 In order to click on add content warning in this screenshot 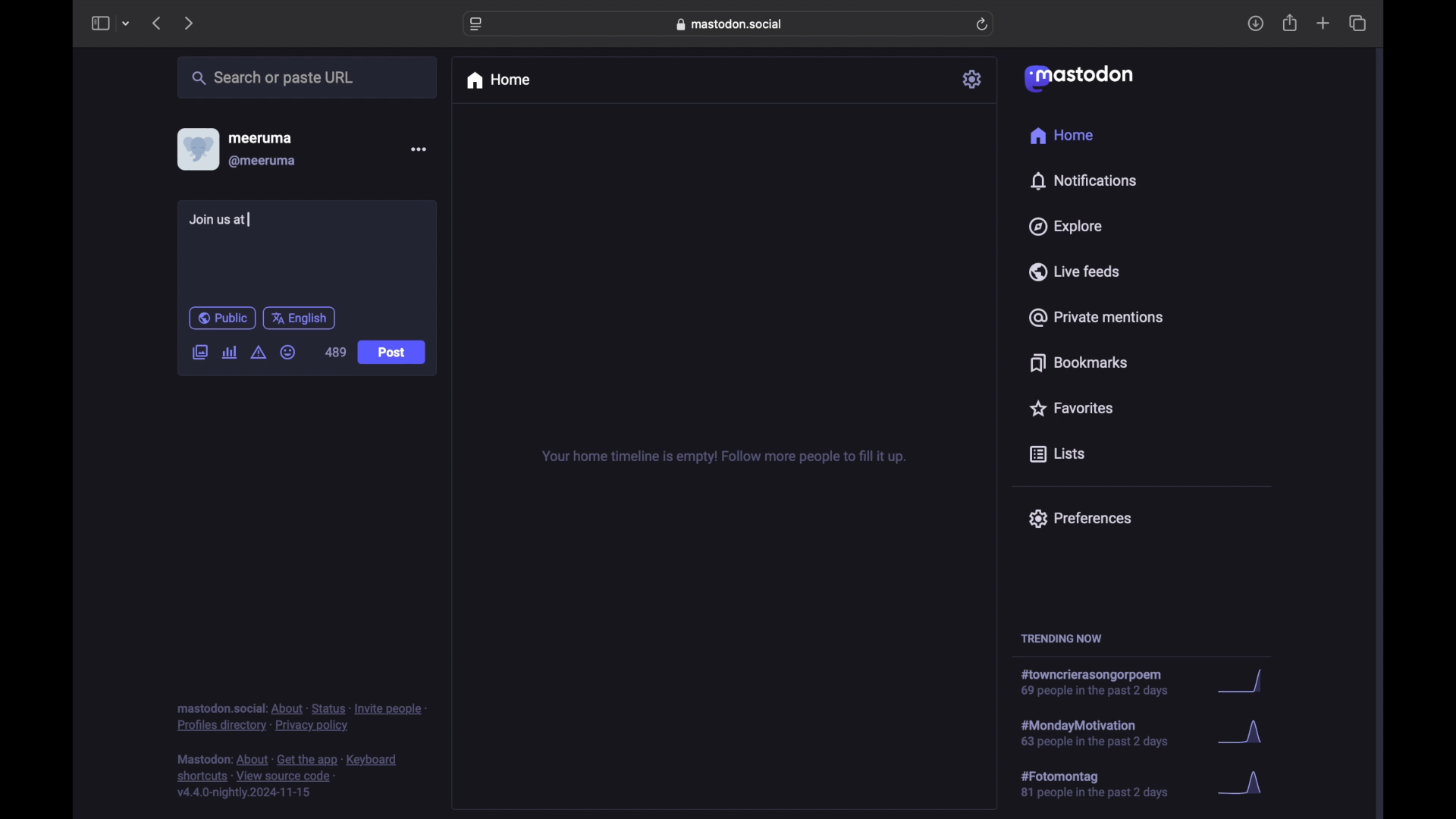, I will do `click(258, 353)`.